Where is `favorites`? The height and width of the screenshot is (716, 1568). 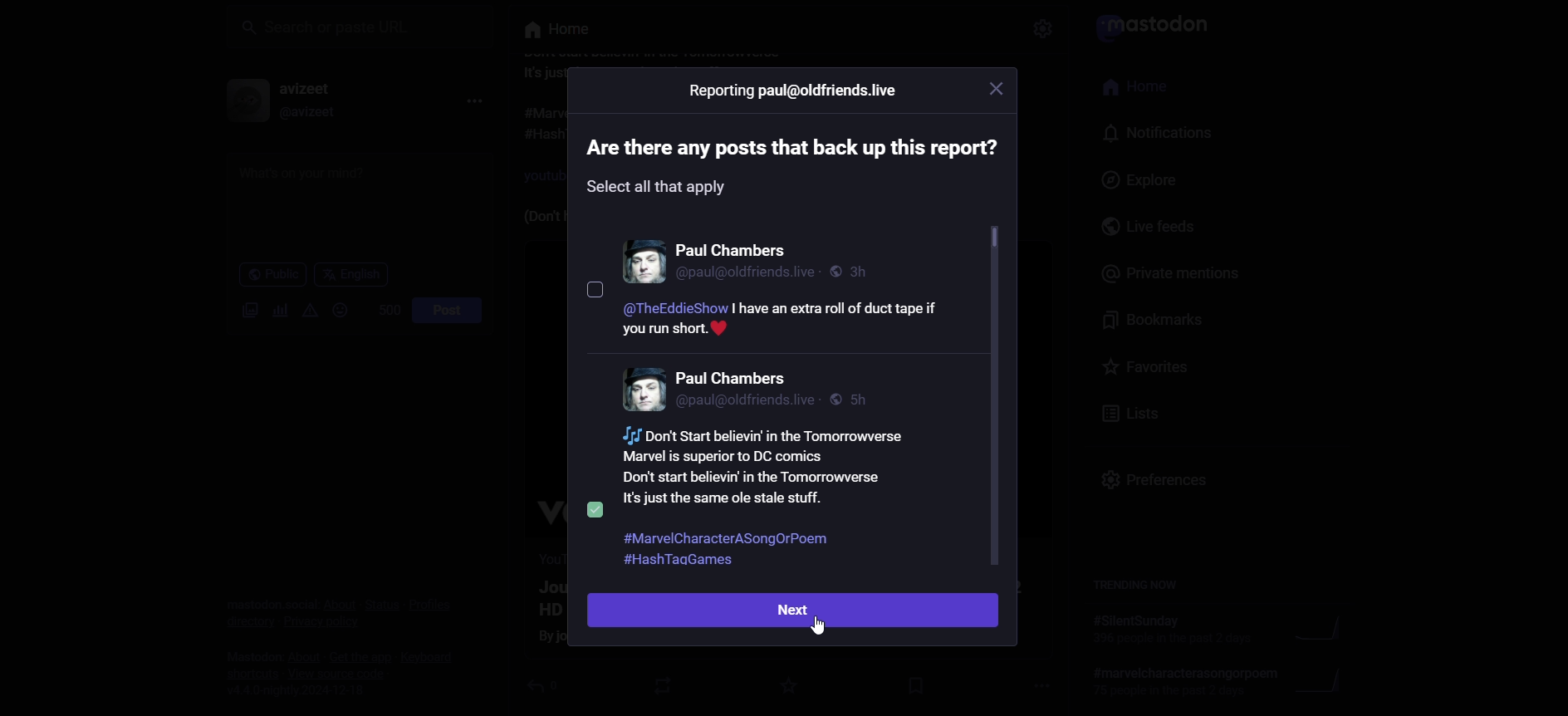 favorites is located at coordinates (1144, 365).